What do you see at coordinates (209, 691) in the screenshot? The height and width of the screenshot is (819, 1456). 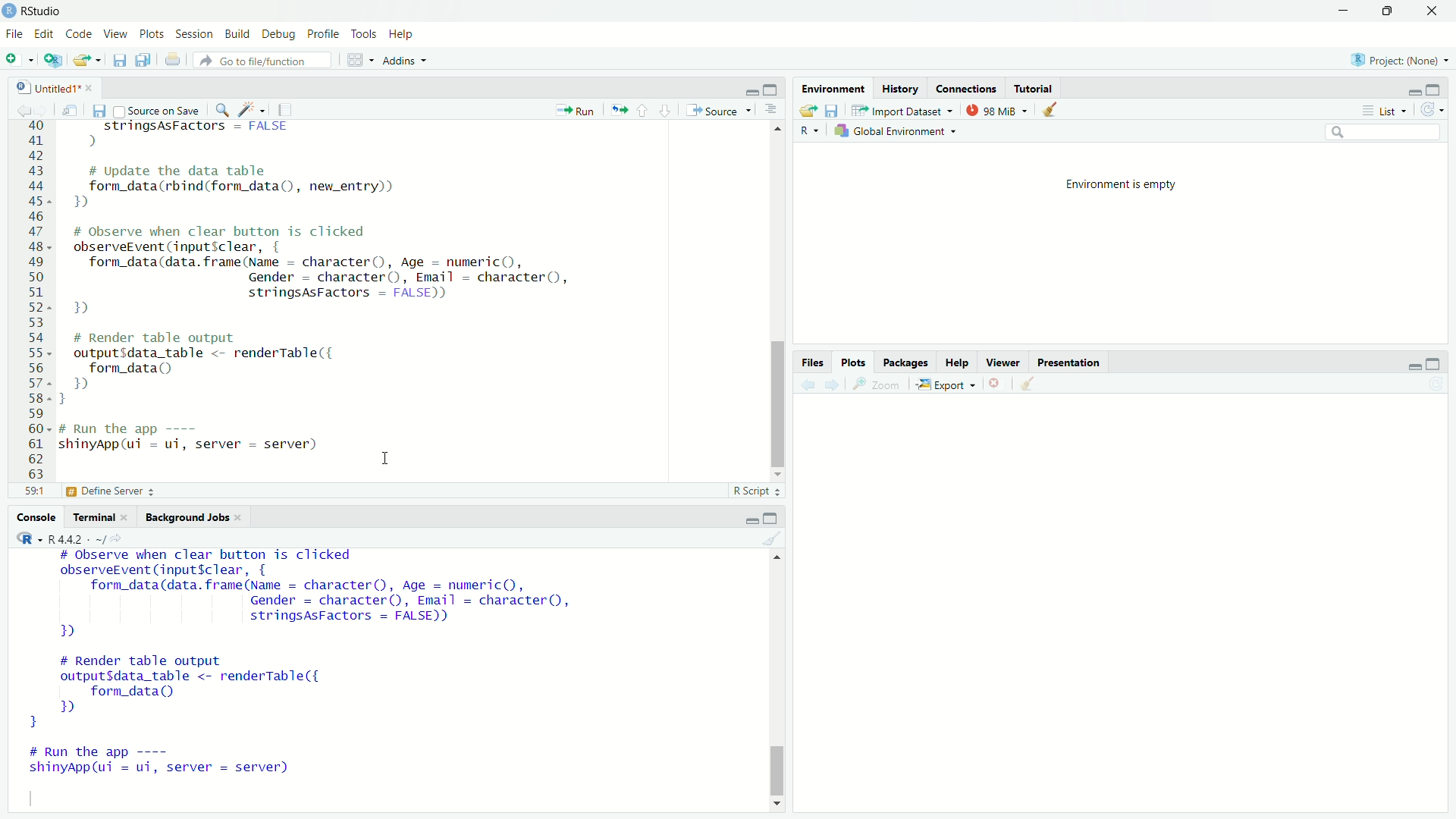 I see `code to render table output` at bounding box center [209, 691].